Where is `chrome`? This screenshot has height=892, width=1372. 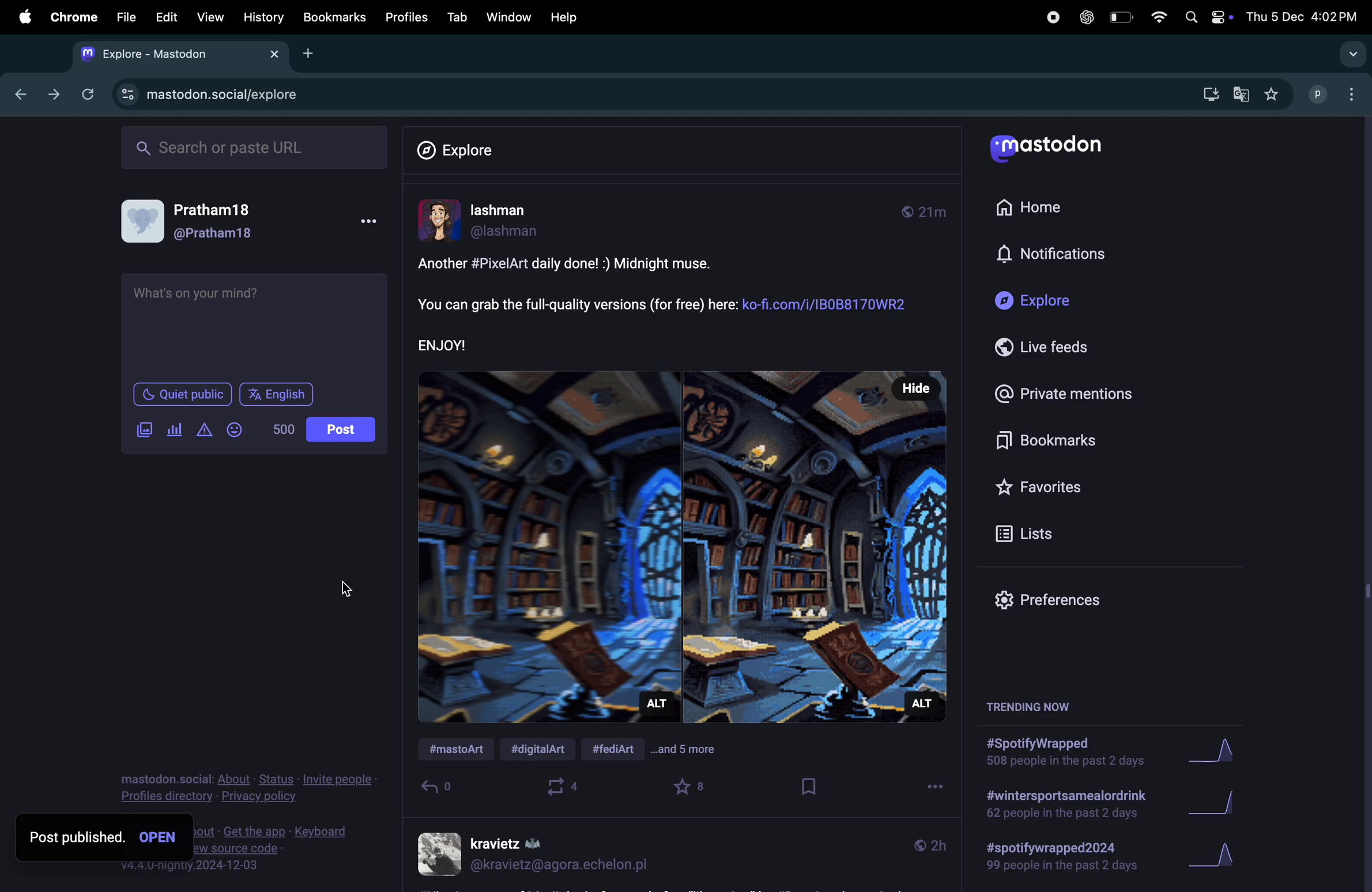
chrome is located at coordinates (75, 18).